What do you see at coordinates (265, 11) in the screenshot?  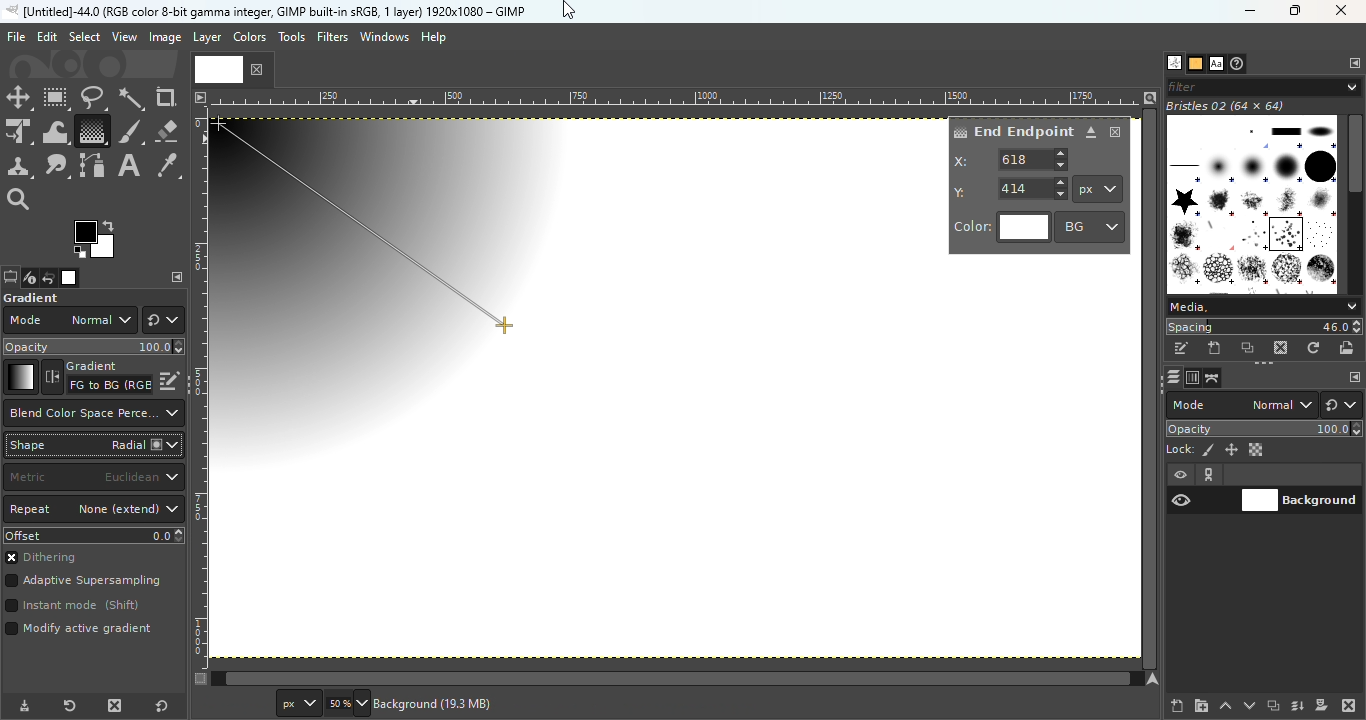 I see `untitled -36.0 (rgb color 8-bit gamma integer , gimp built in stgb, 1 layer) 1174x788 - gimp` at bounding box center [265, 11].